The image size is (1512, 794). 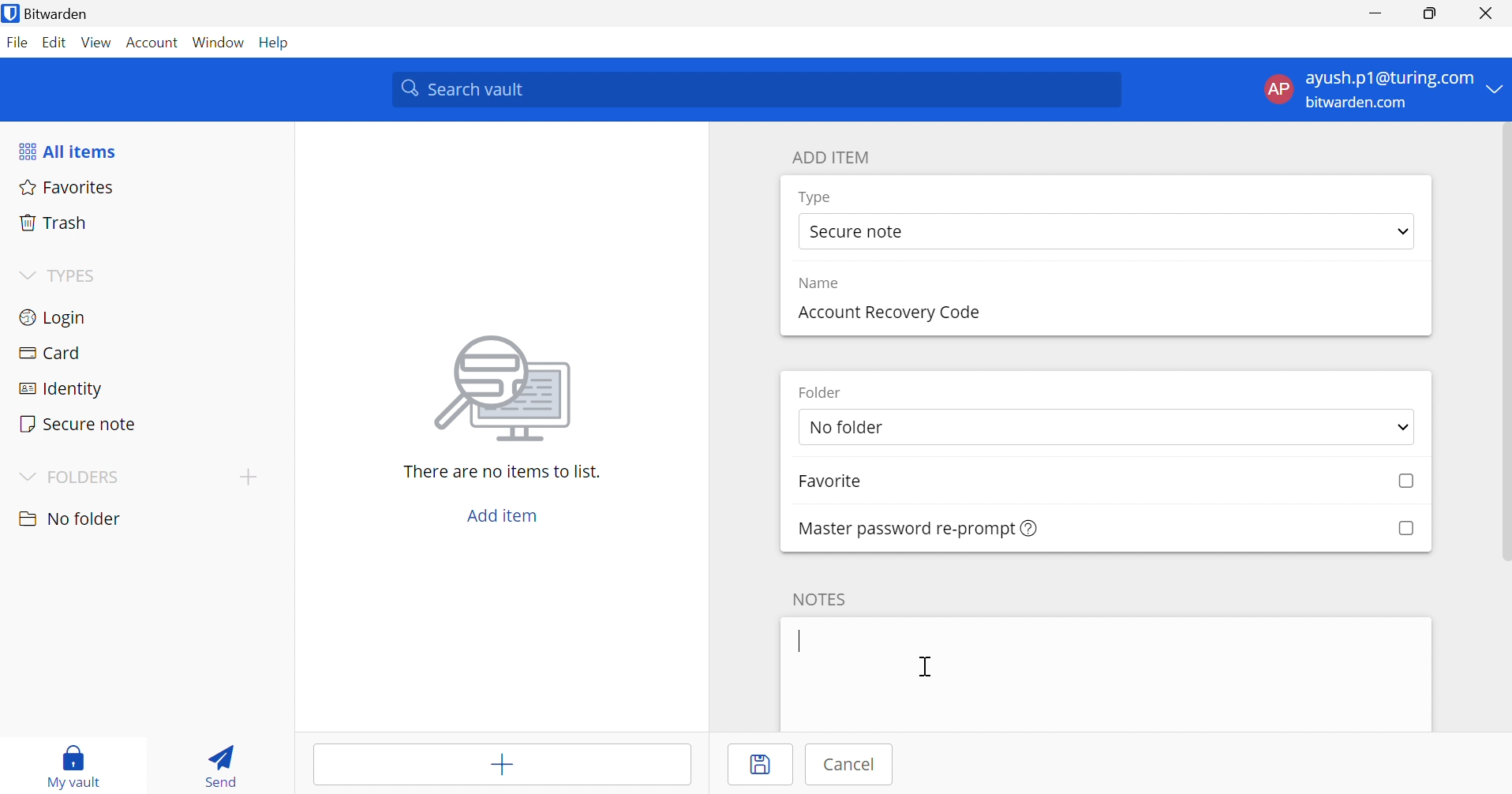 What do you see at coordinates (1030, 529) in the screenshot?
I see `info` at bounding box center [1030, 529].